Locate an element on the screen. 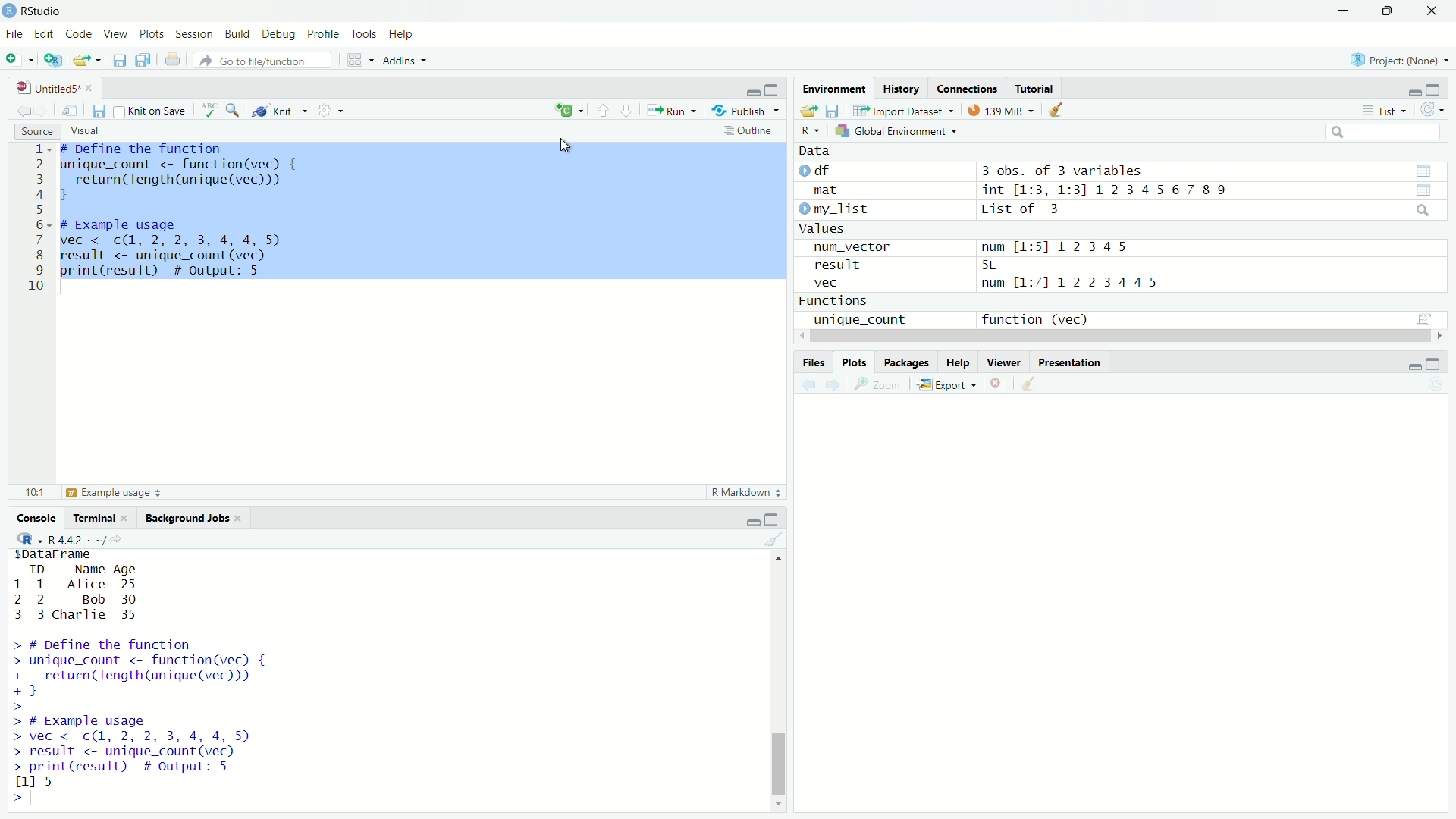 This screenshot has height=819, width=1456. R Markdown is located at coordinates (742, 494).